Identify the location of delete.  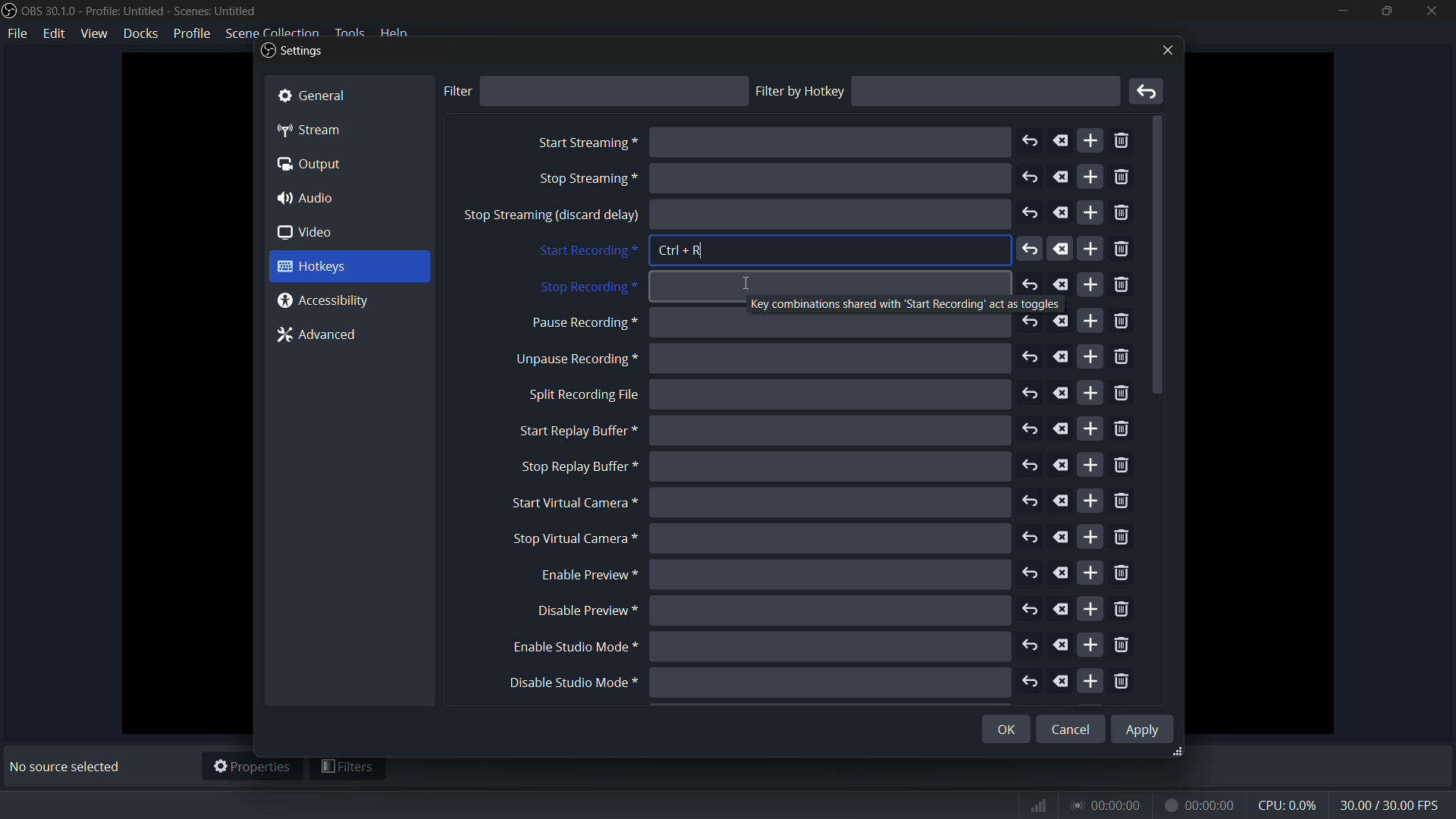
(1062, 466).